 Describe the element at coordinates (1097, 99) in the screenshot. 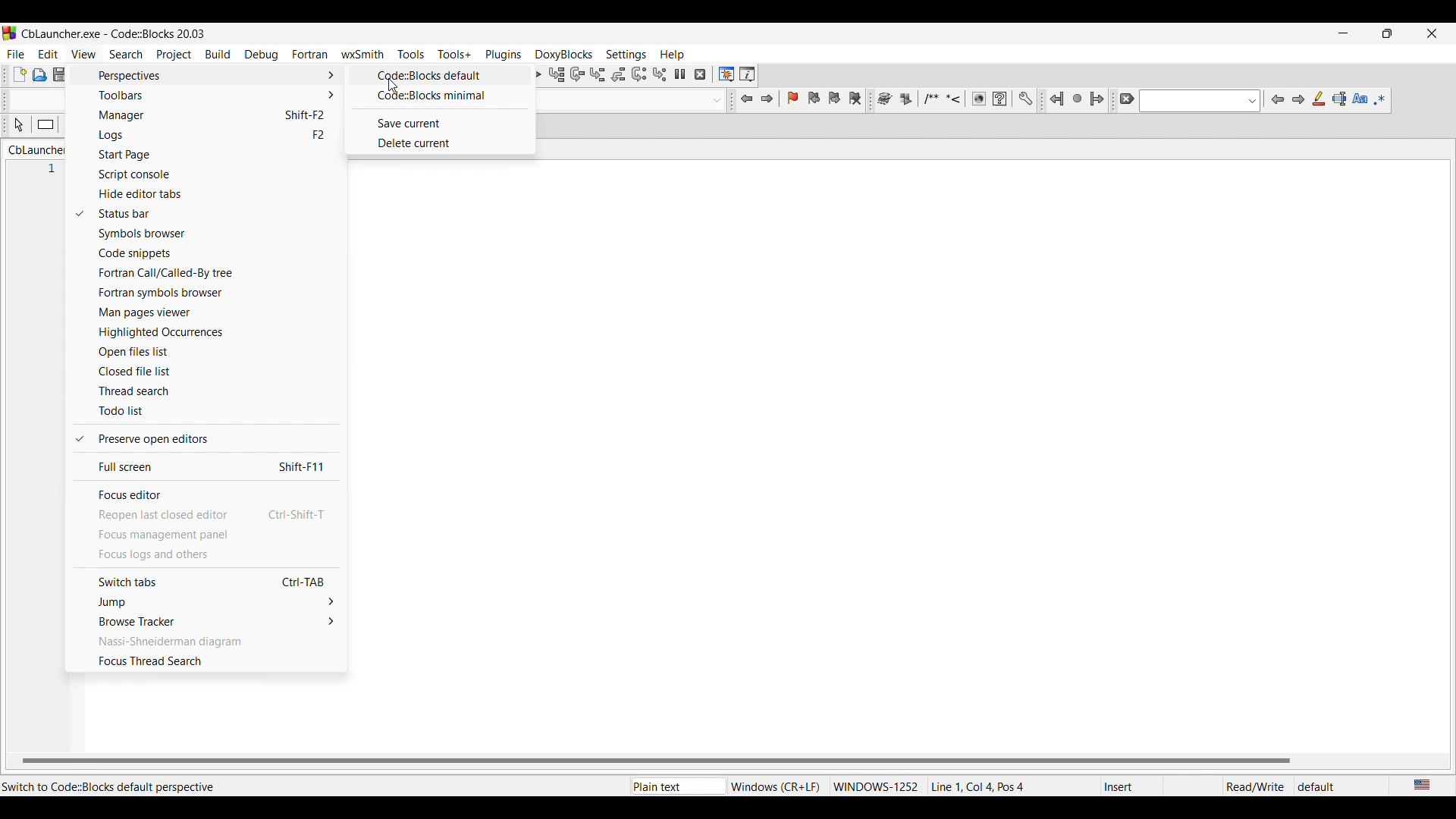

I see `Jump forward` at that location.